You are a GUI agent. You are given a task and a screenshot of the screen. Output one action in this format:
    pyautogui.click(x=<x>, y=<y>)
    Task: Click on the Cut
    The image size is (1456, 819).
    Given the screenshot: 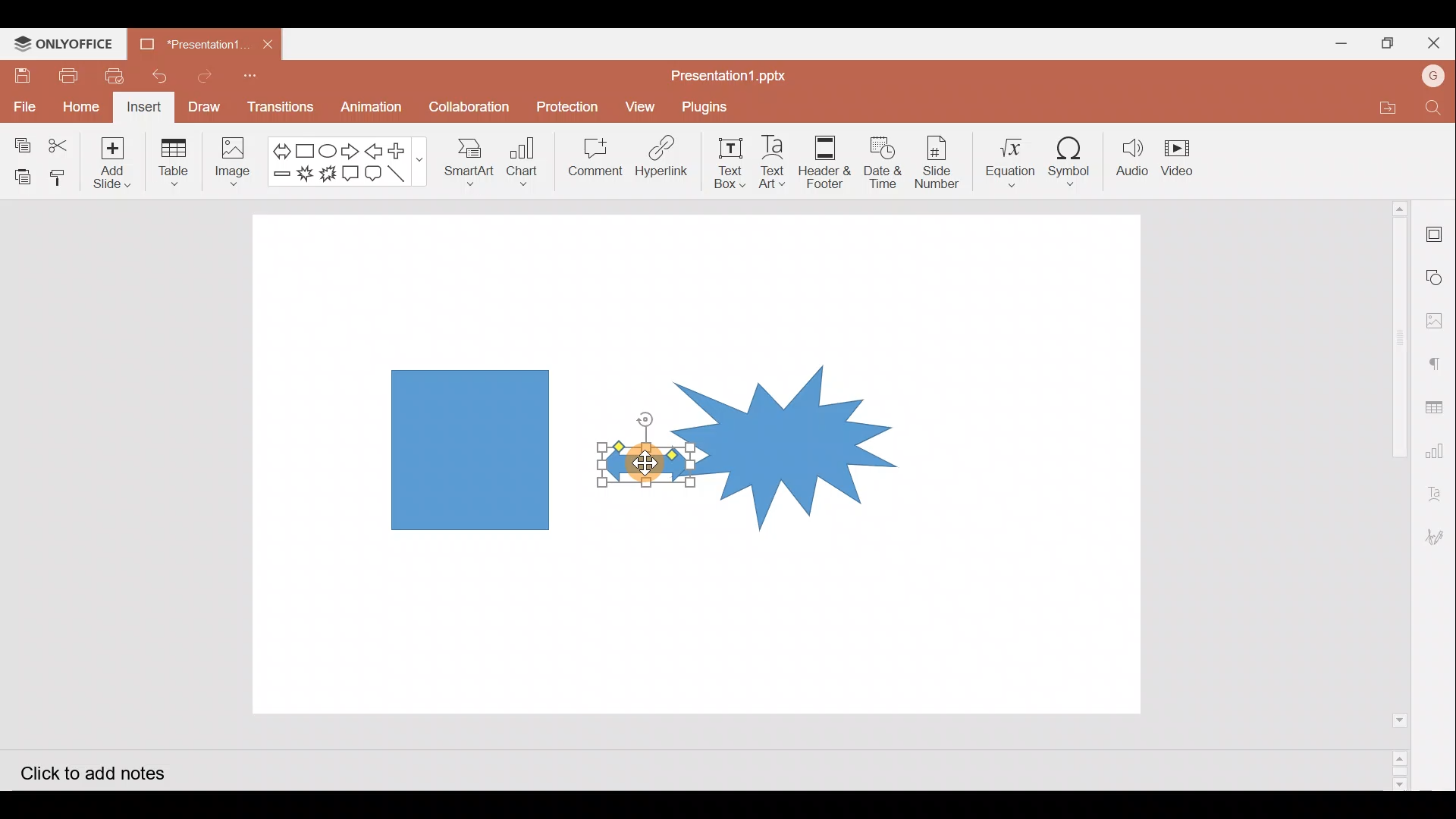 What is the action you would take?
    pyautogui.click(x=67, y=142)
    